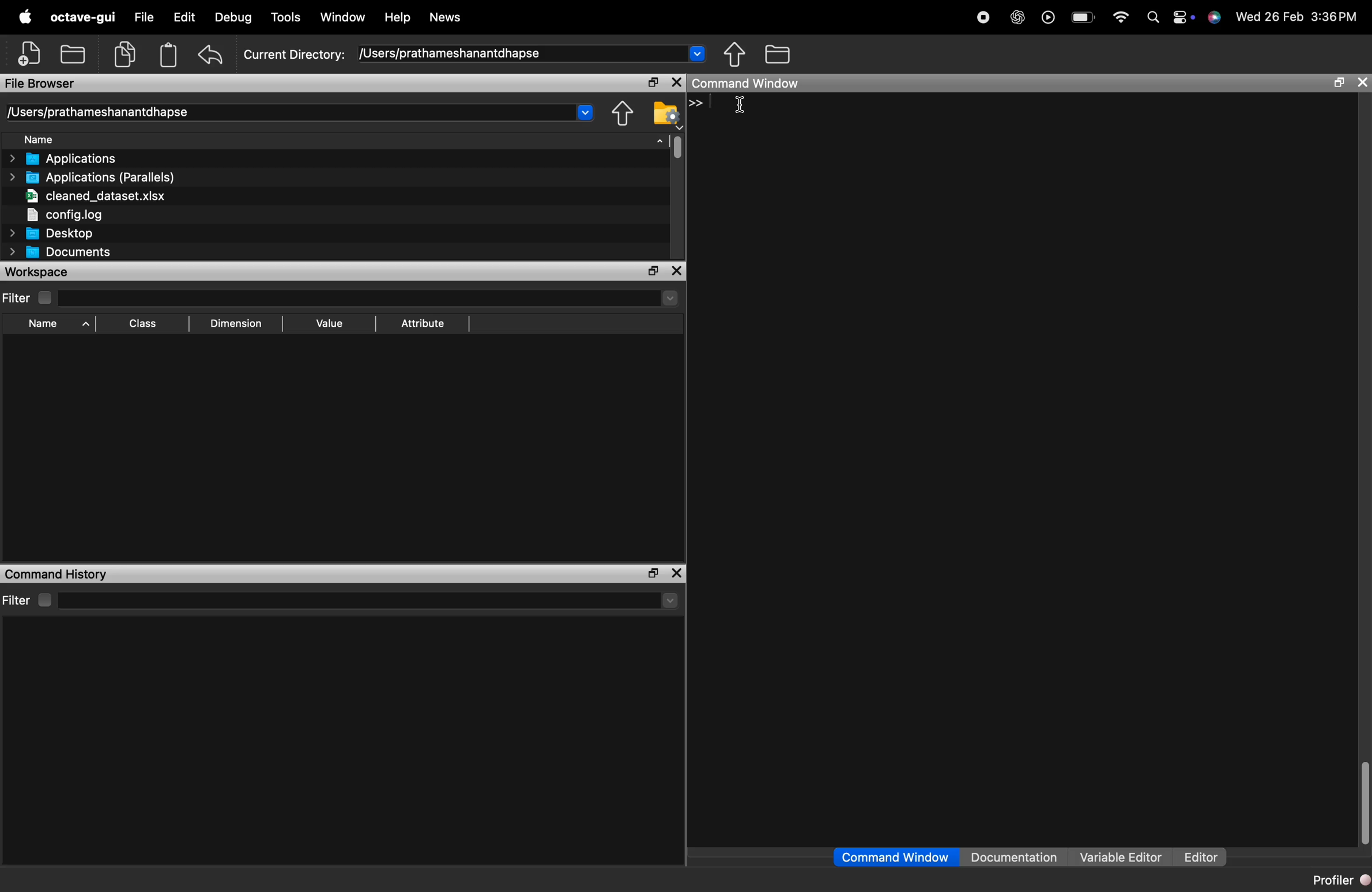 Image resolution: width=1372 pixels, height=892 pixels. I want to click on Directory settings, so click(665, 112).